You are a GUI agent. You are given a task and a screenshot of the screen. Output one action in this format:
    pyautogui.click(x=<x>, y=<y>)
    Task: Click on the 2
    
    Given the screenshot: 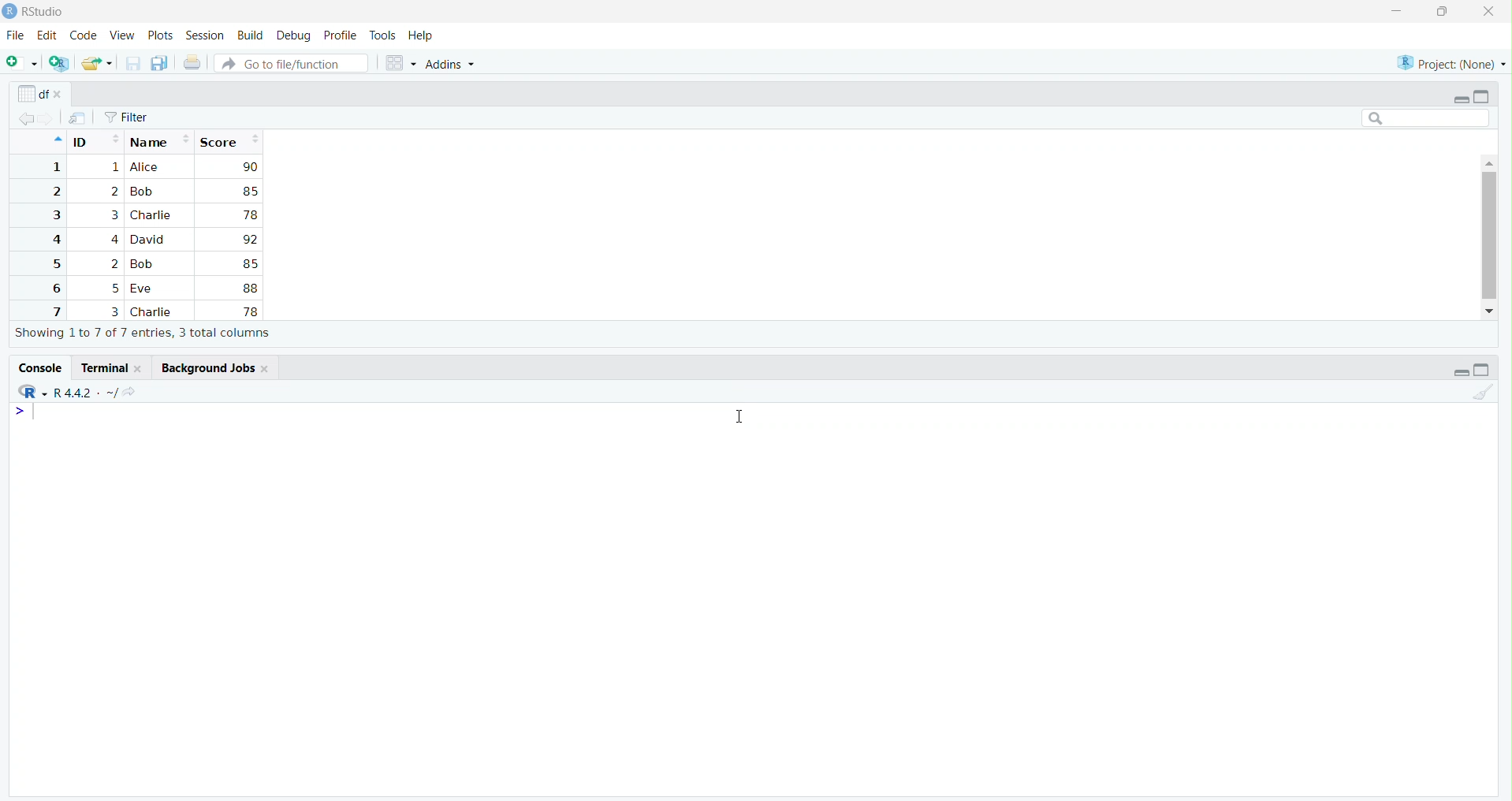 What is the action you would take?
    pyautogui.click(x=54, y=192)
    